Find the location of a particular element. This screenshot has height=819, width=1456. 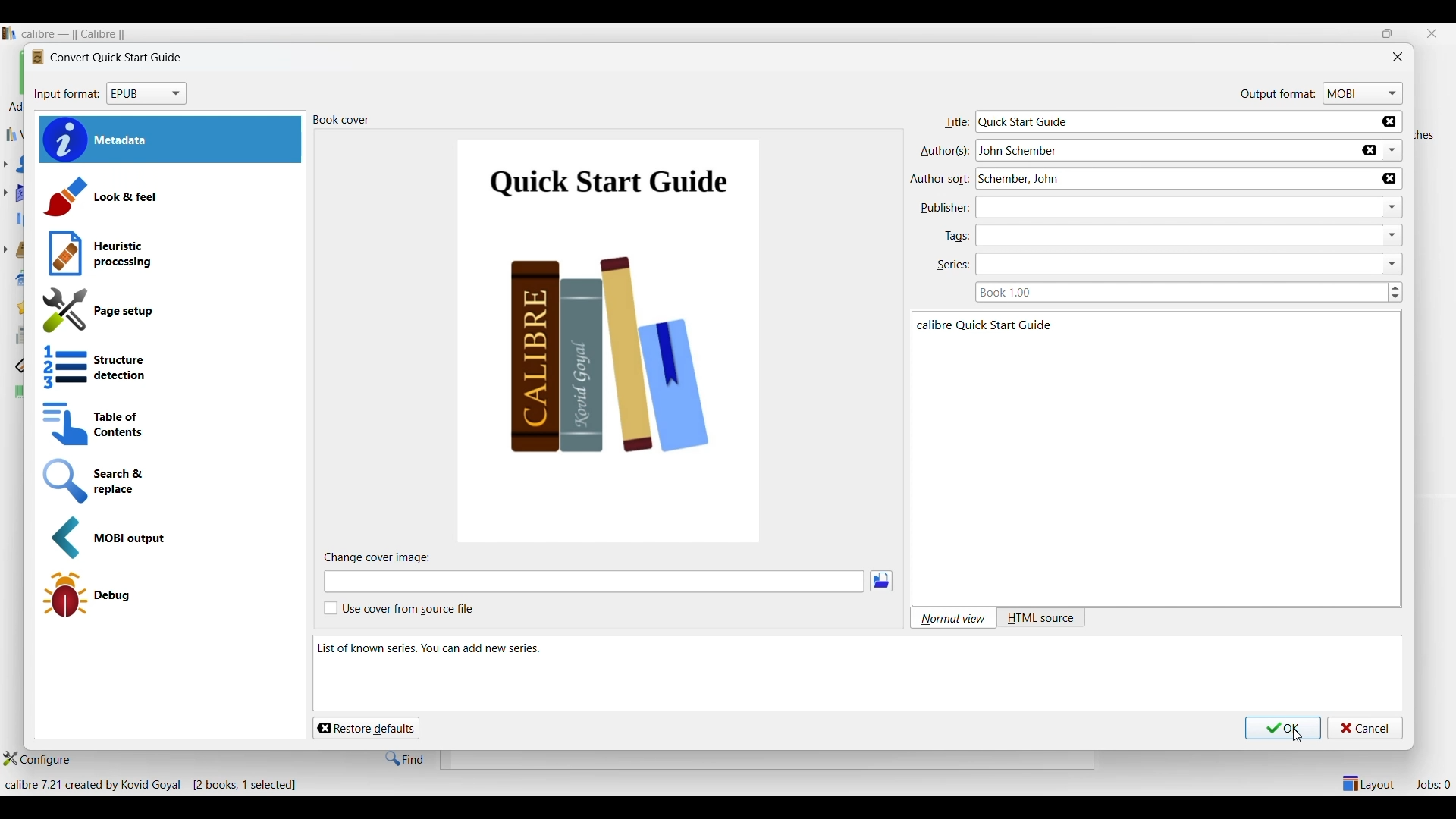

Metadata is located at coordinates (171, 140).